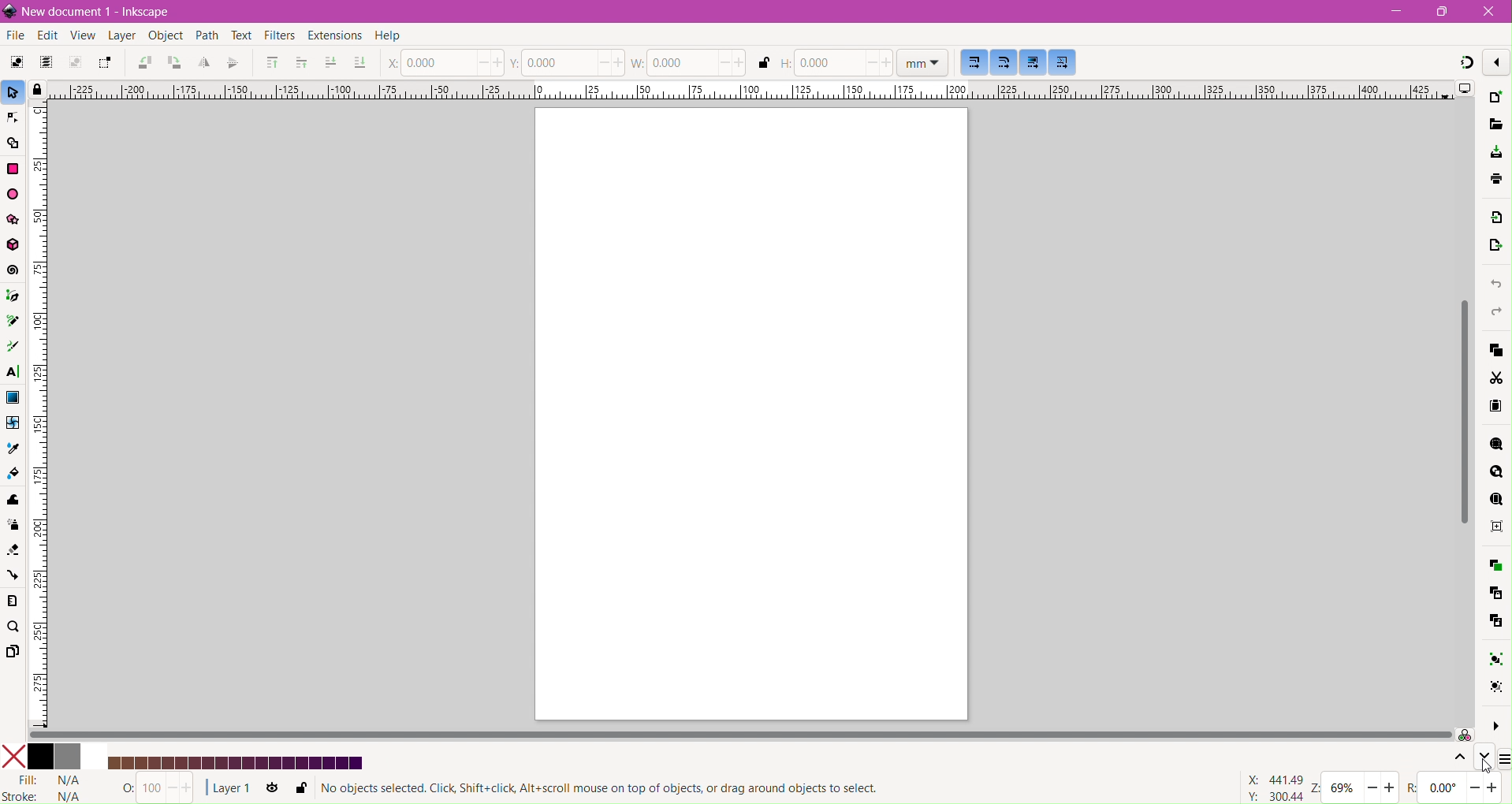 This screenshot has height=804, width=1512. Describe the element at coordinates (52, 780) in the screenshot. I see `Fill Status` at that location.